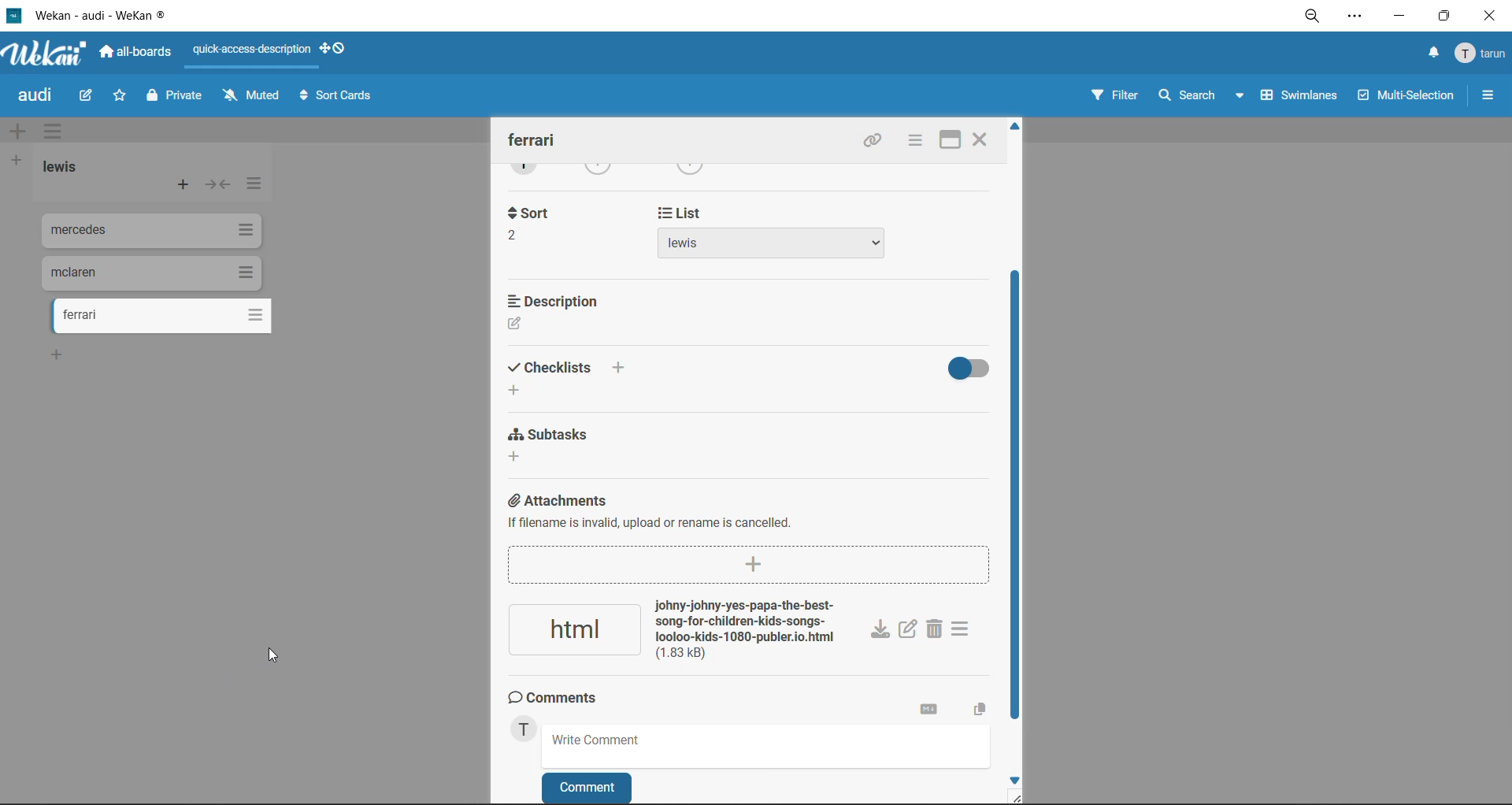 The width and height of the screenshot is (1512, 805). I want to click on subtasks, so click(557, 446).